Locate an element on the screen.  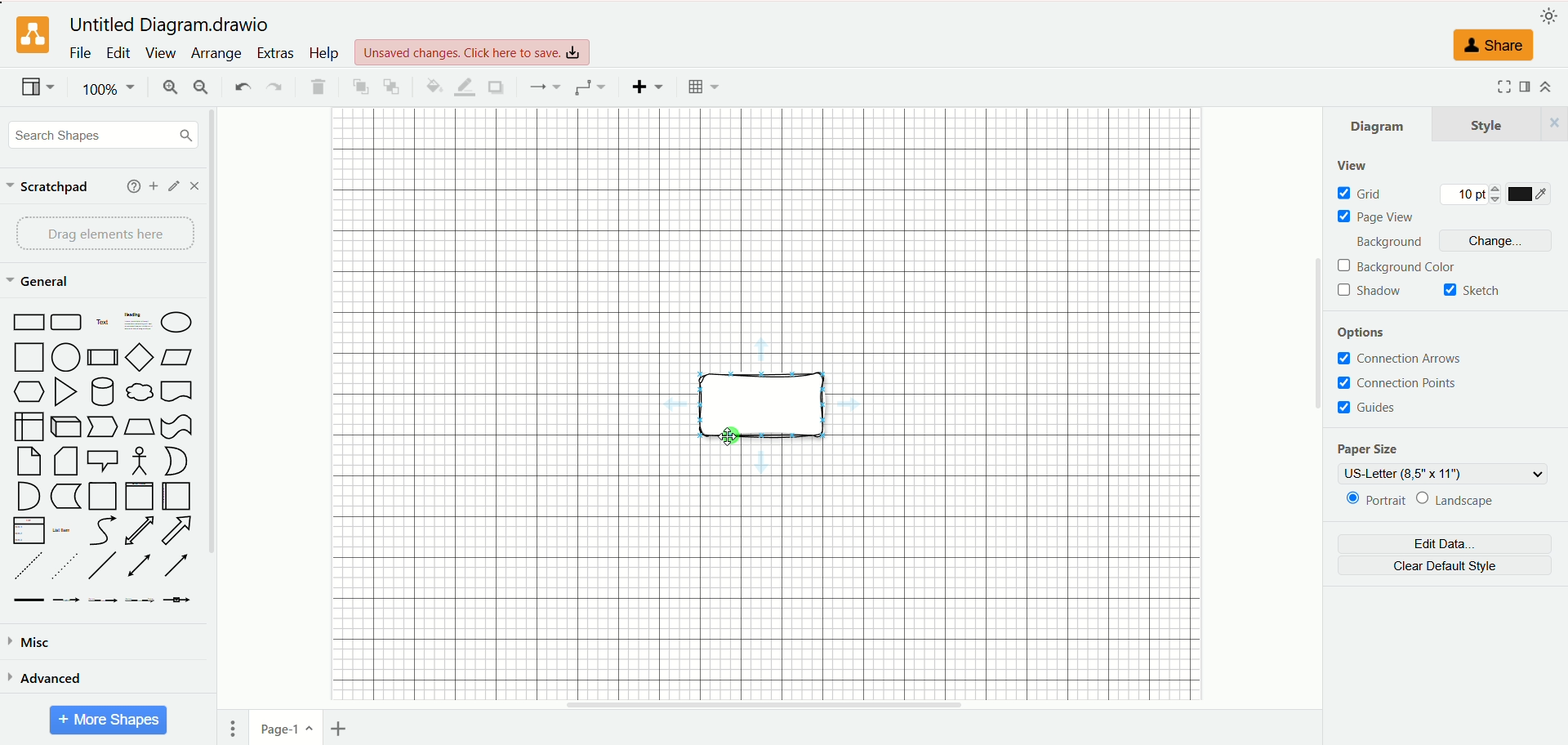
vertical scroll bar is located at coordinates (216, 409).